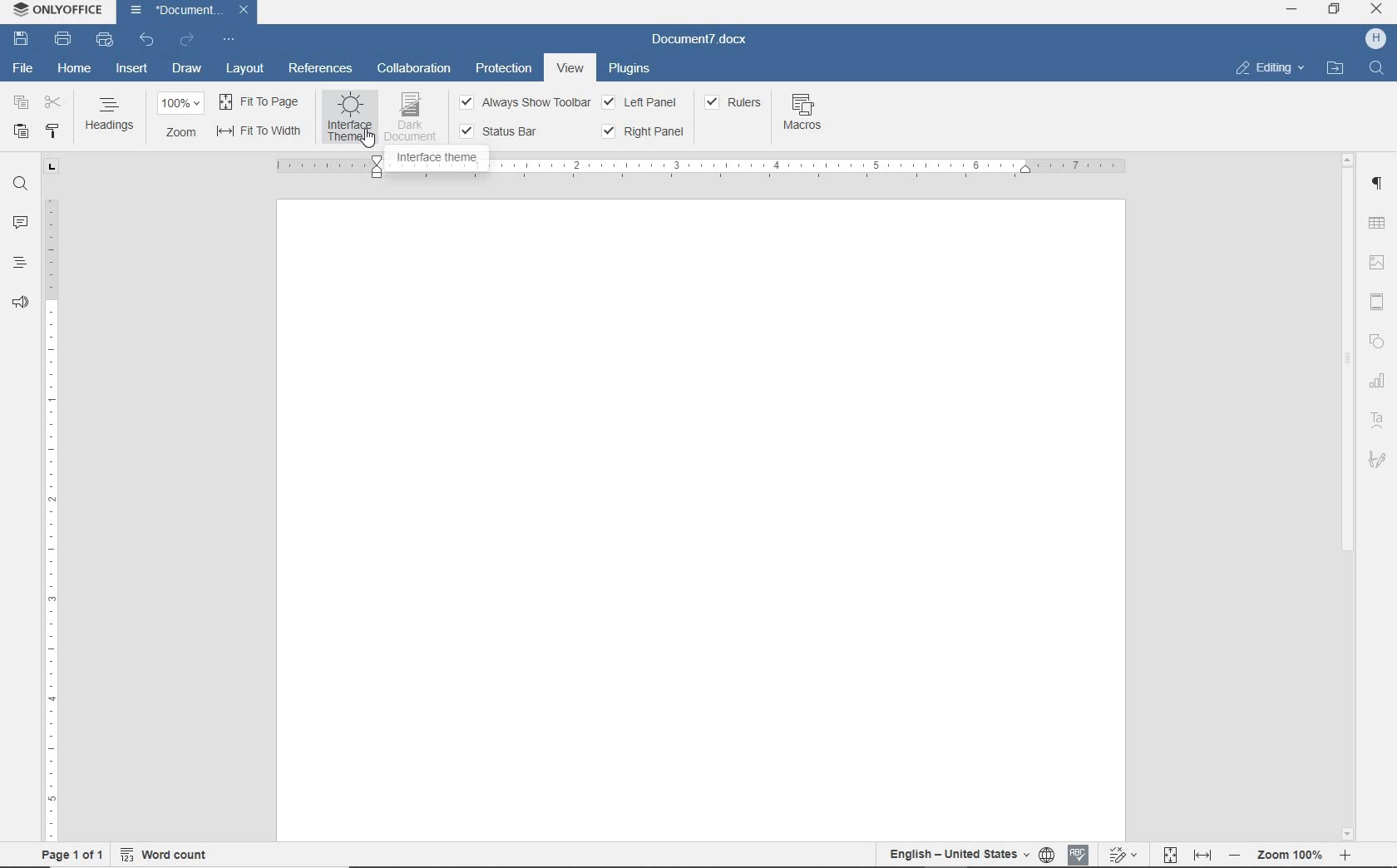 Image resolution: width=1397 pixels, height=868 pixels. Describe the element at coordinates (1268, 66) in the screenshot. I see `EDITING` at that location.